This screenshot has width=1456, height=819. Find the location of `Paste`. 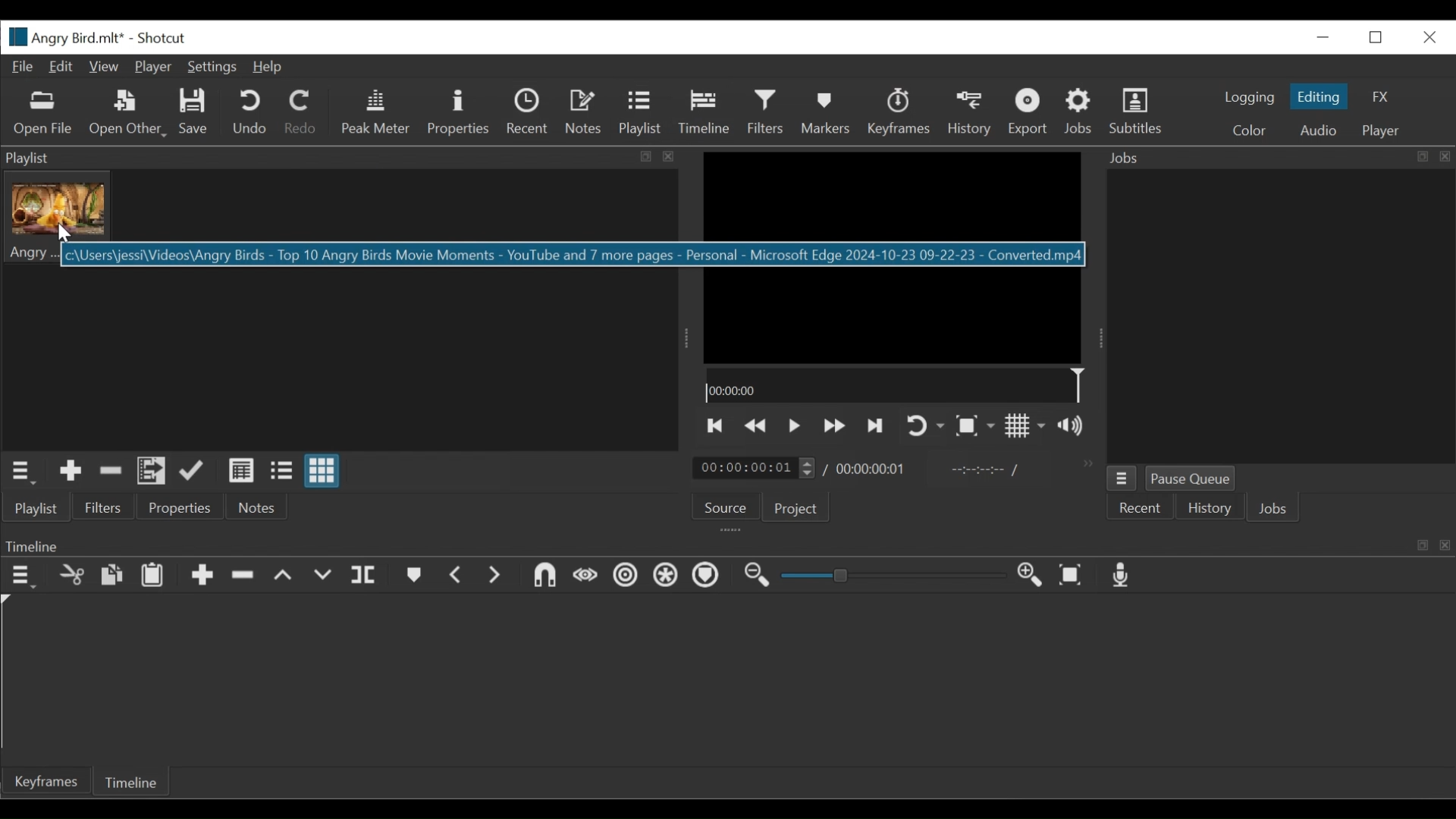

Paste is located at coordinates (152, 573).